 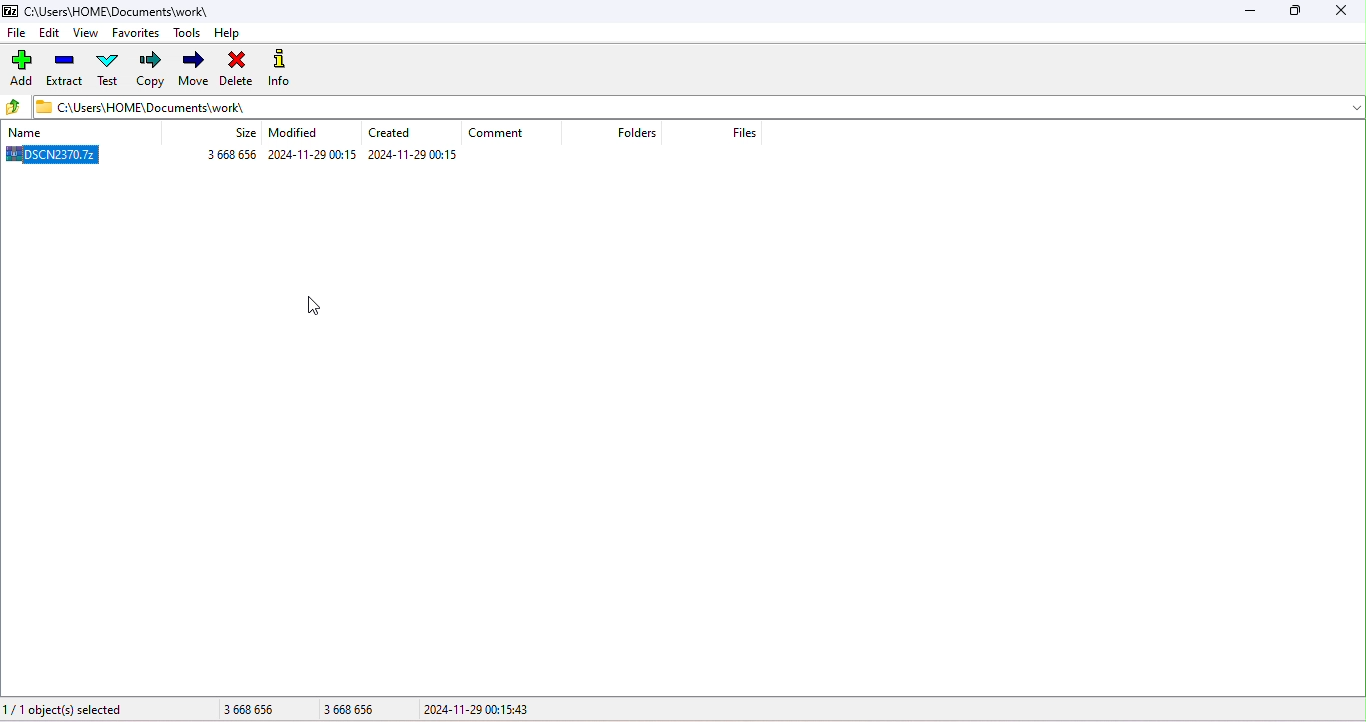 What do you see at coordinates (1347, 107) in the screenshot?
I see `drop down` at bounding box center [1347, 107].